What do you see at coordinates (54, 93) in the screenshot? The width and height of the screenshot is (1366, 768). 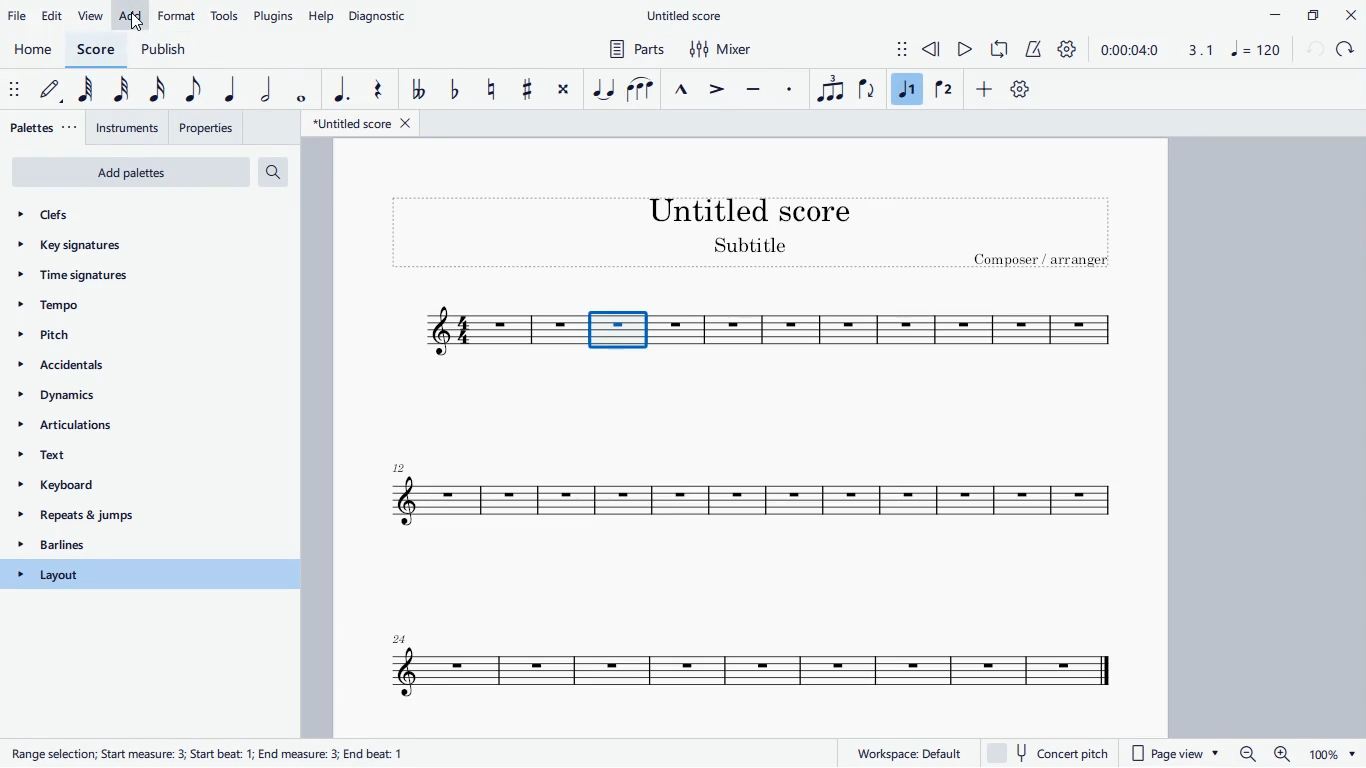 I see `default` at bounding box center [54, 93].